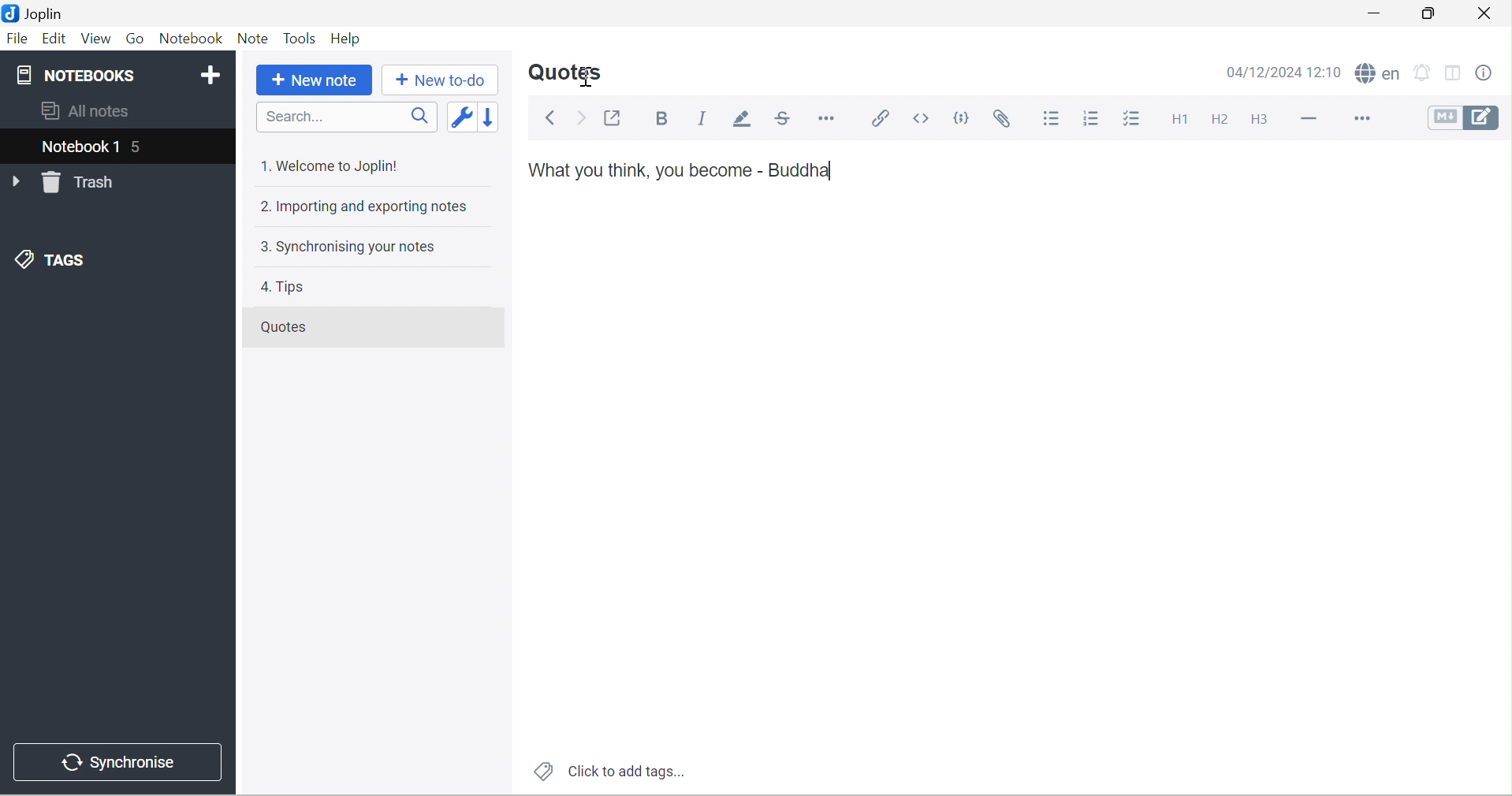 The image size is (1512, 796). What do you see at coordinates (136, 38) in the screenshot?
I see `Go` at bounding box center [136, 38].